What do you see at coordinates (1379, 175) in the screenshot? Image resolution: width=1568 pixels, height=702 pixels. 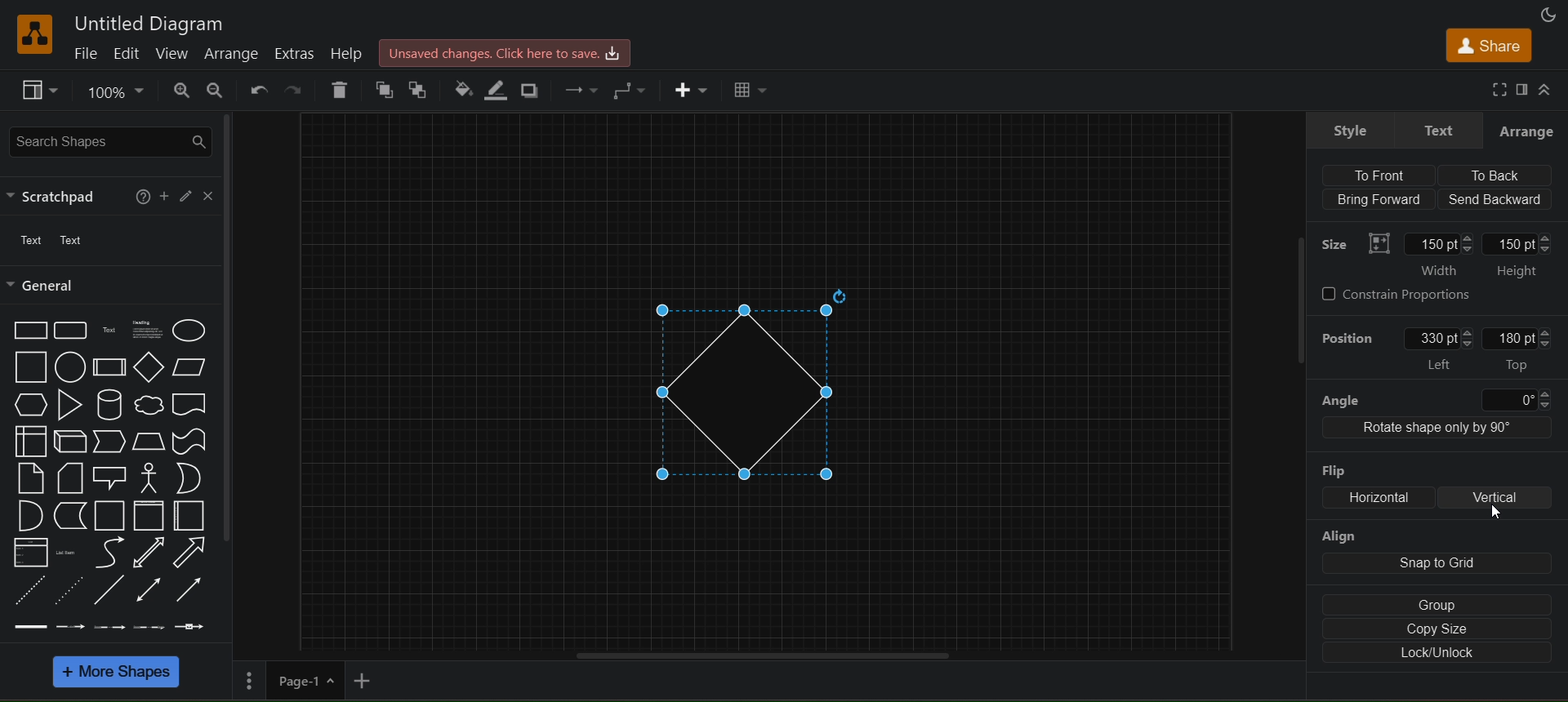 I see `to front` at bounding box center [1379, 175].